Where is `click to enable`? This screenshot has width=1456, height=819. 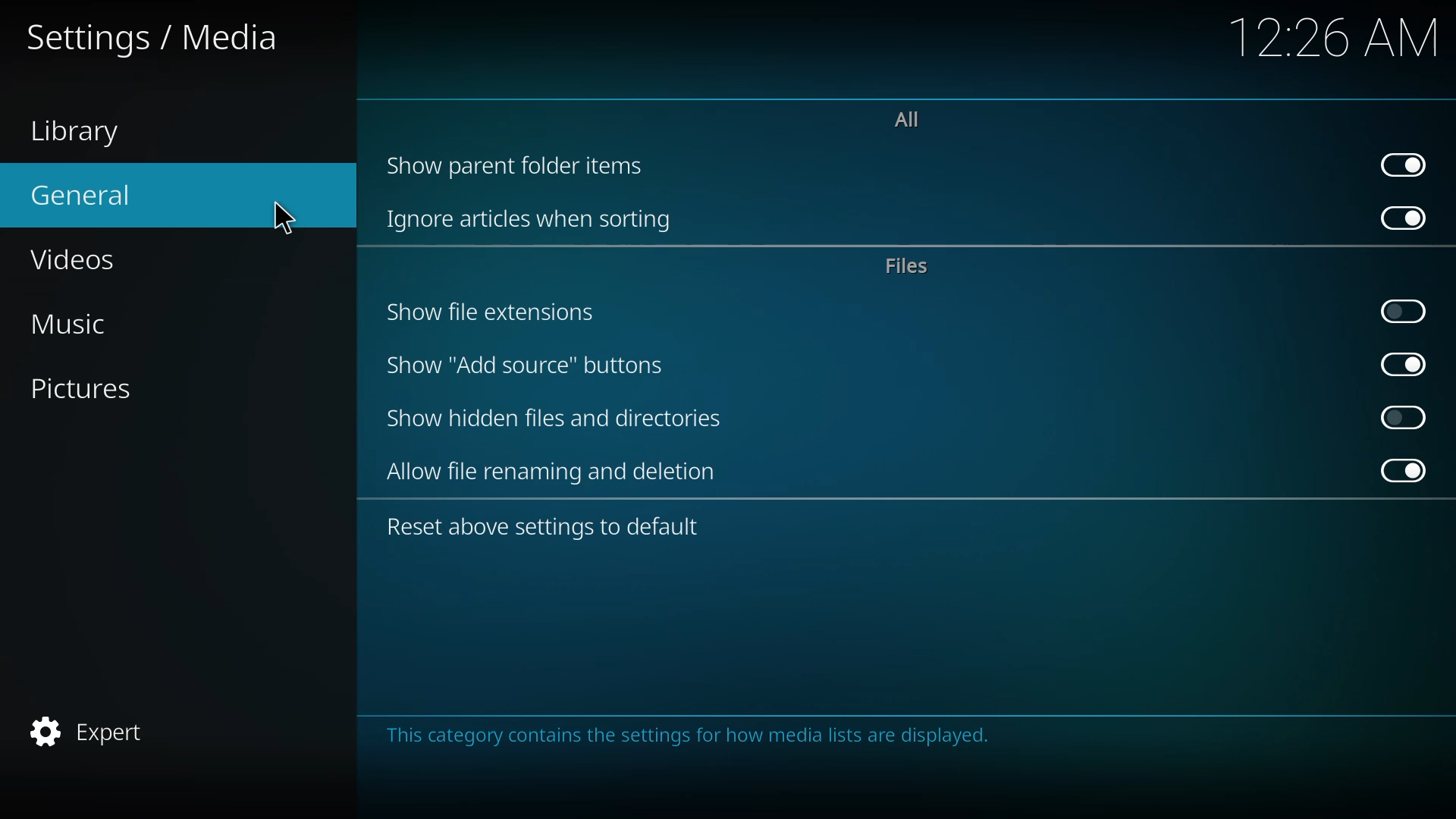 click to enable is located at coordinates (1408, 310).